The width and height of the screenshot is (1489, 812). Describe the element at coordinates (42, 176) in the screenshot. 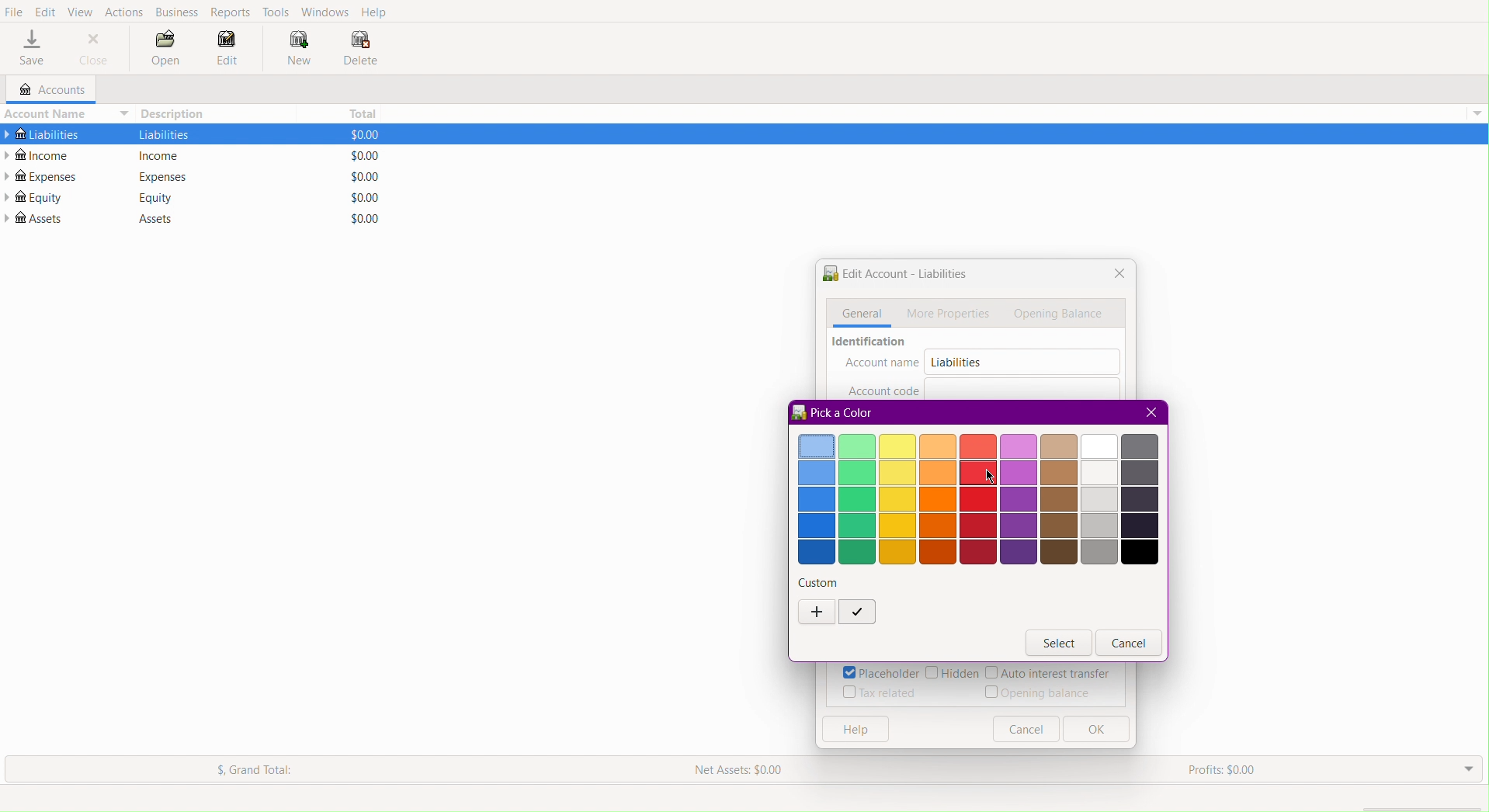

I see `Expenses` at that location.